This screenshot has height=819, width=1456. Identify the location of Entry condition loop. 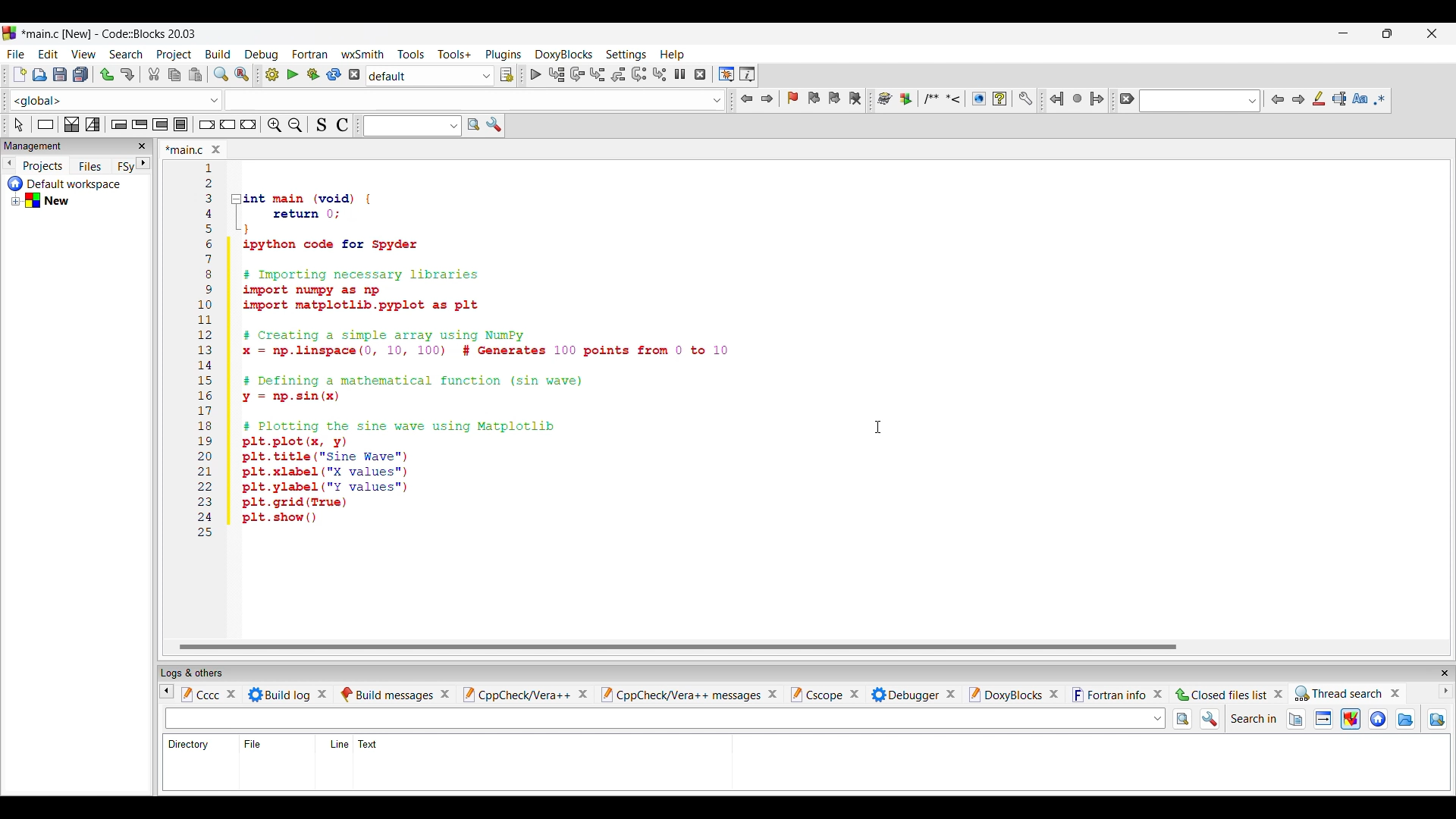
(116, 126).